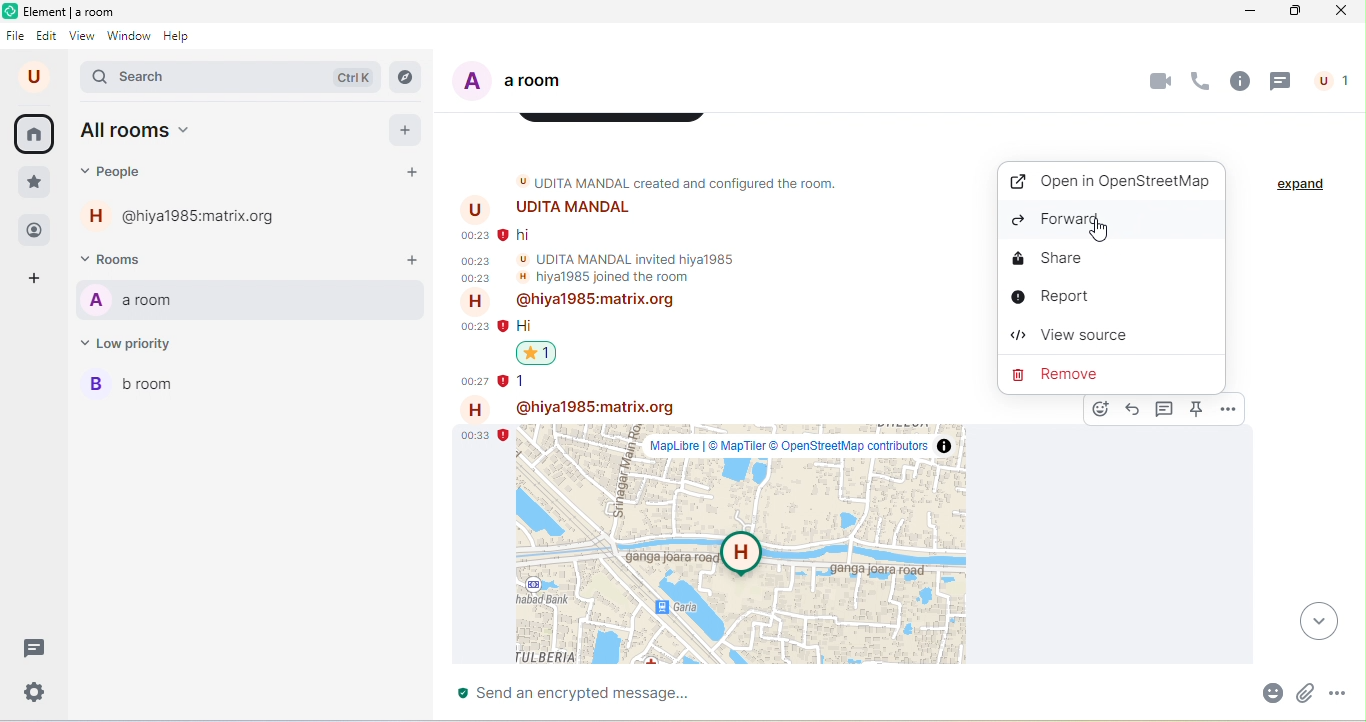  What do you see at coordinates (504, 235) in the screenshot?
I see `error message` at bounding box center [504, 235].